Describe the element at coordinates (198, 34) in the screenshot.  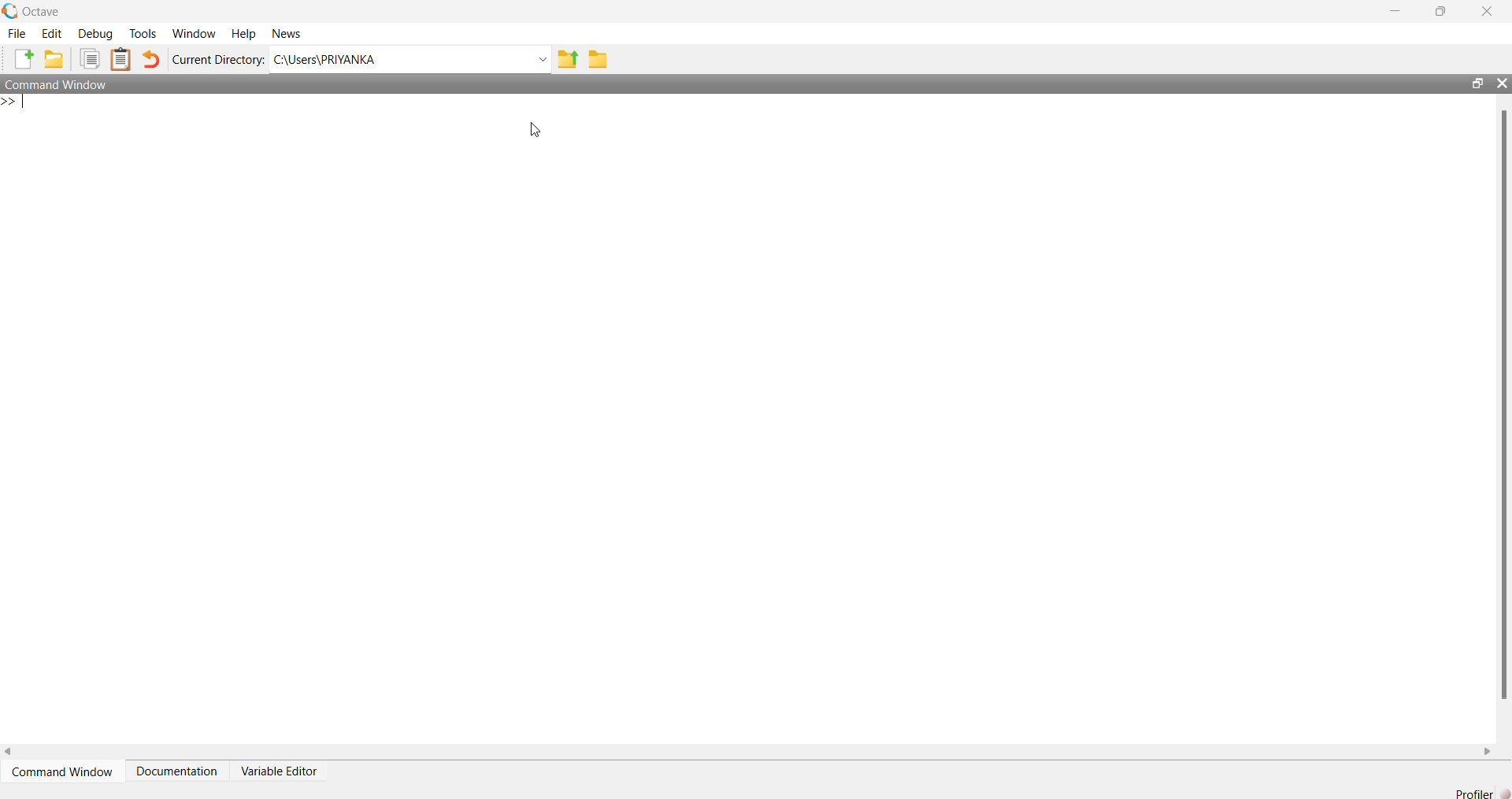
I see `Nindow` at that location.